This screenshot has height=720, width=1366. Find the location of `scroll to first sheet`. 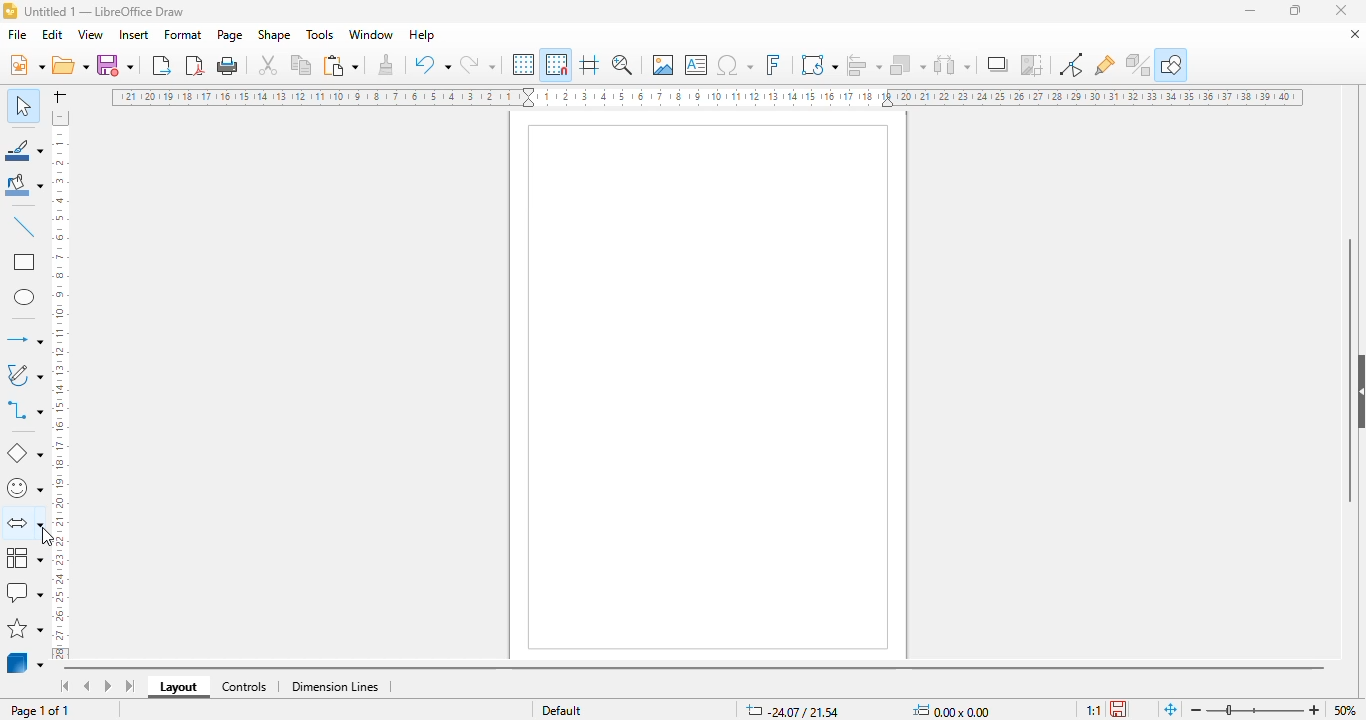

scroll to first sheet is located at coordinates (66, 686).